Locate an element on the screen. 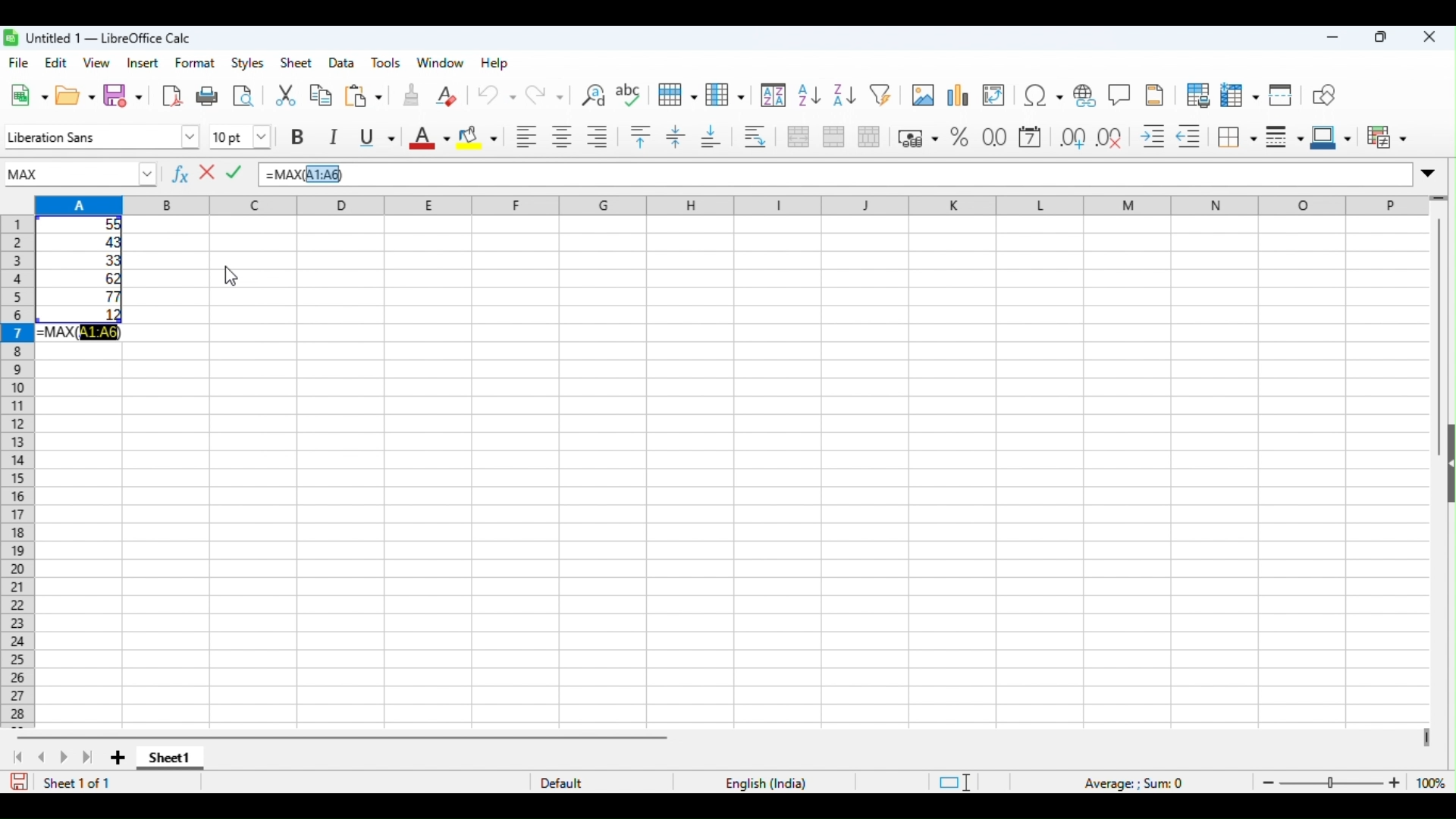 The height and width of the screenshot is (819, 1456). define print area is located at coordinates (1197, 93).